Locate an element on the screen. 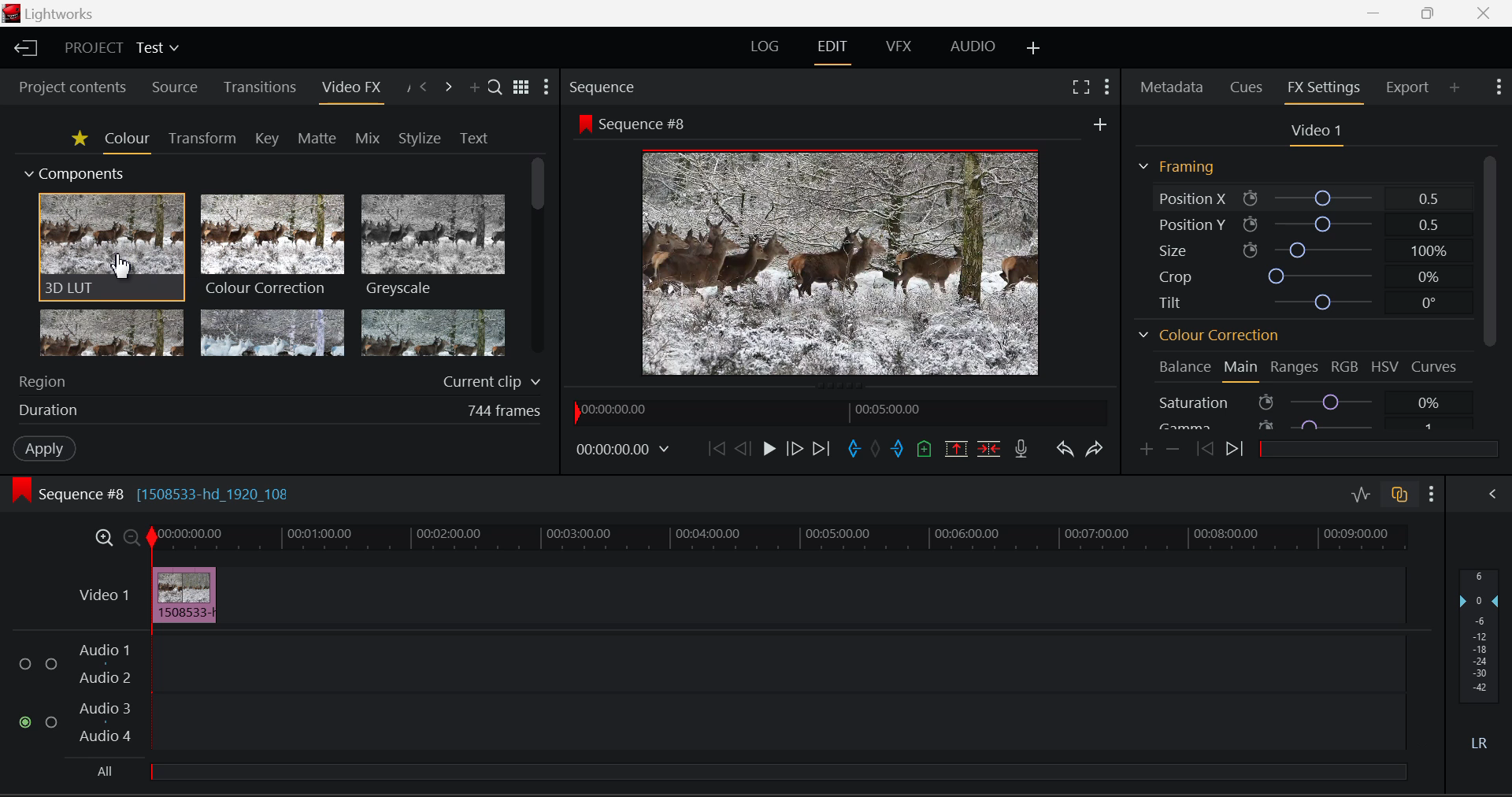 The image size is (1512, 797). Project Timeline is located at coordinates (780, 539).